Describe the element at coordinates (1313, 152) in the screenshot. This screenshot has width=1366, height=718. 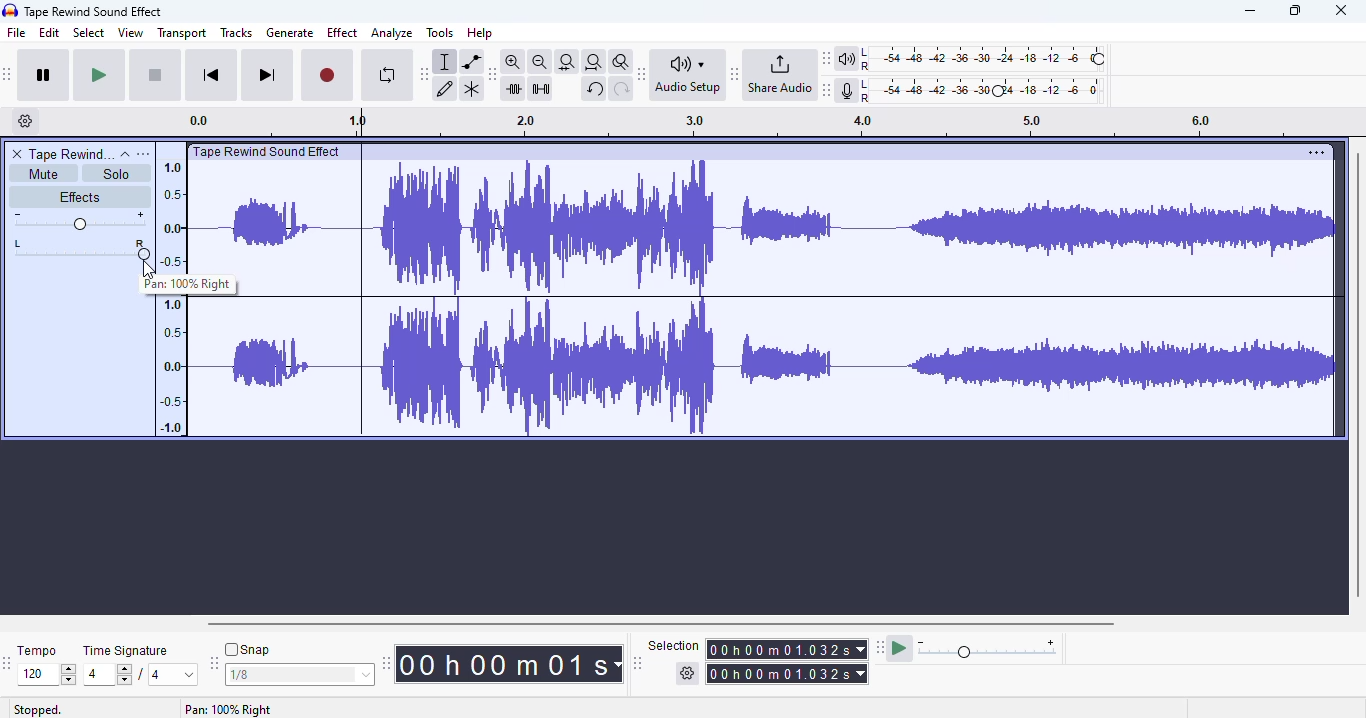
I see `More options` at that location.